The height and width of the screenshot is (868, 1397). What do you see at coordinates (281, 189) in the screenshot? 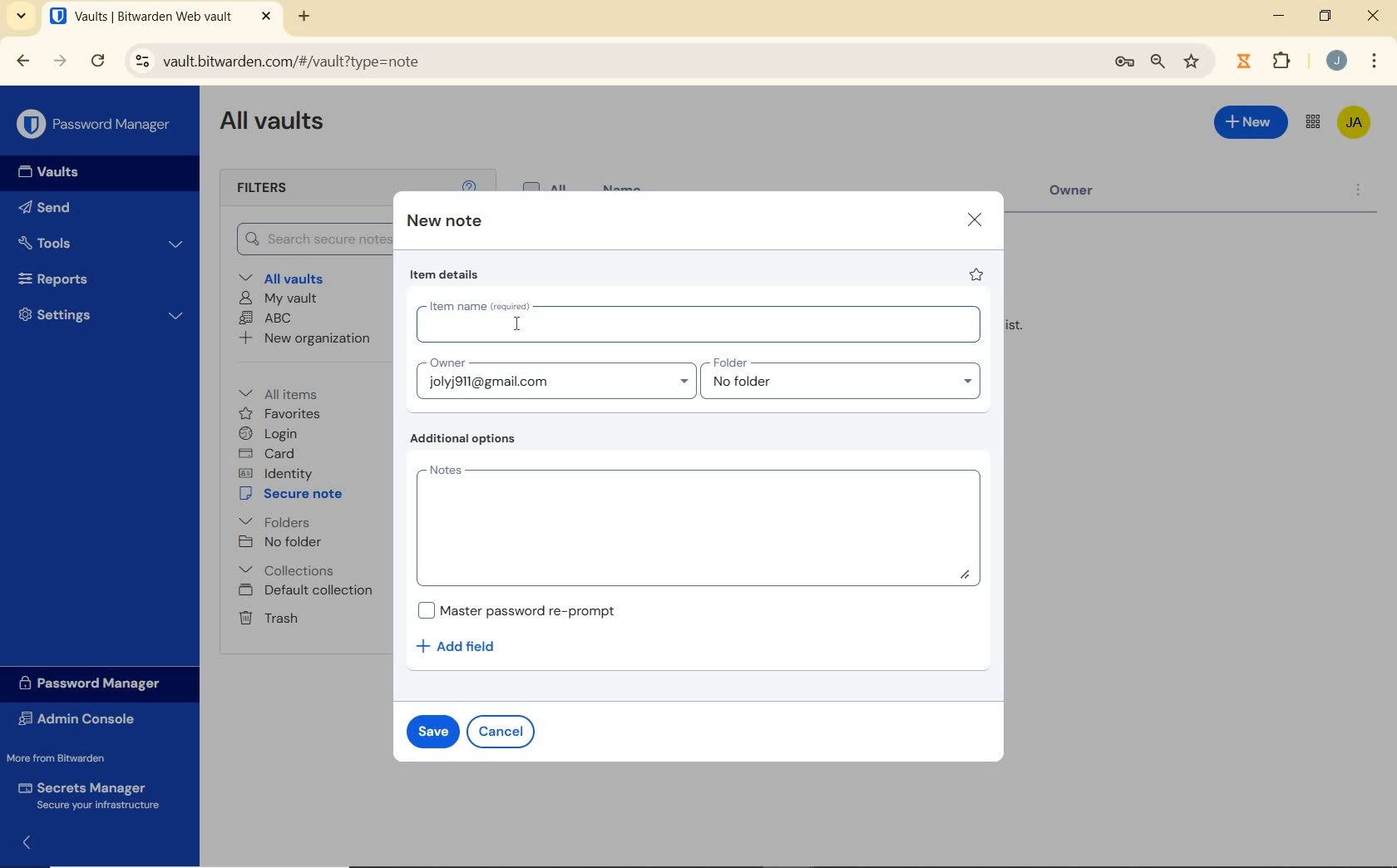
I see `Filters` at bounding box center [281, 189].